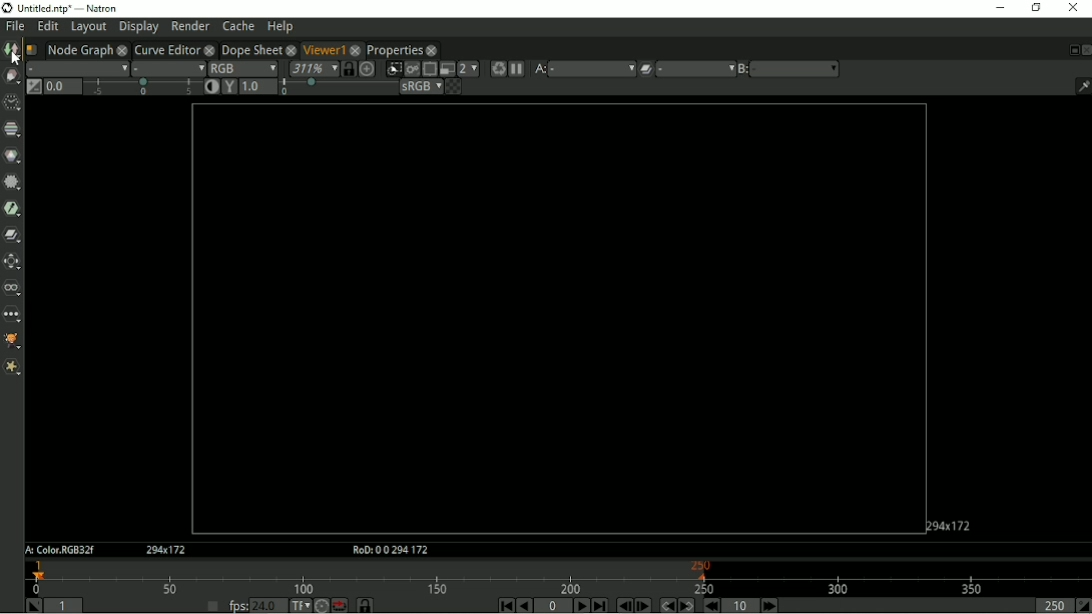 This screenshot has height=614, width=1092. Describe the element at coordinates (66, 605) in the screenshot. I see `Playback in point` at that location.